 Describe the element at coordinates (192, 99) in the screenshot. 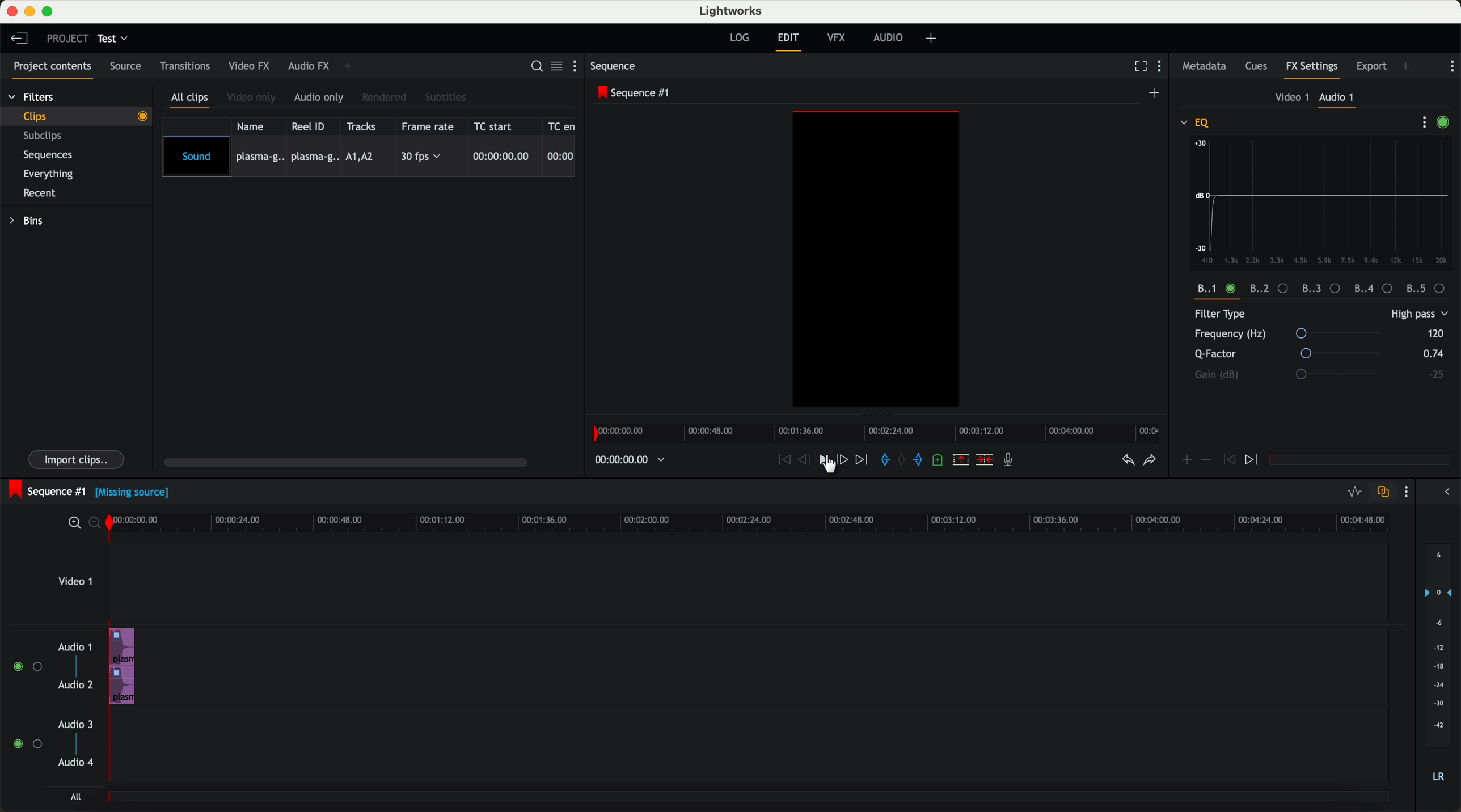

I see `all clips` at that location.